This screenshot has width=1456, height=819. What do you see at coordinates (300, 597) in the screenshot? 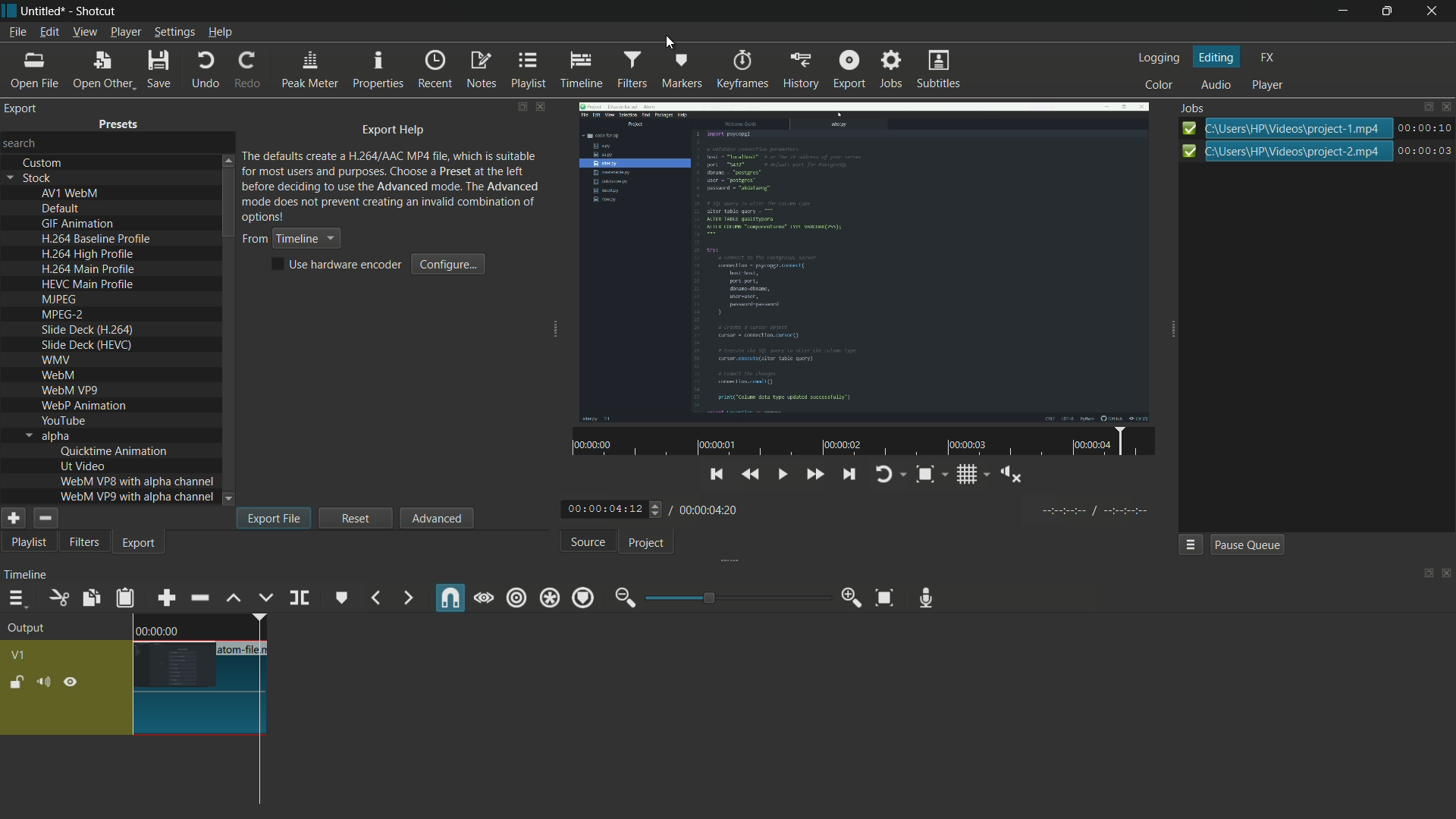
I see `split at playhead` at bounding box center [300, 597].